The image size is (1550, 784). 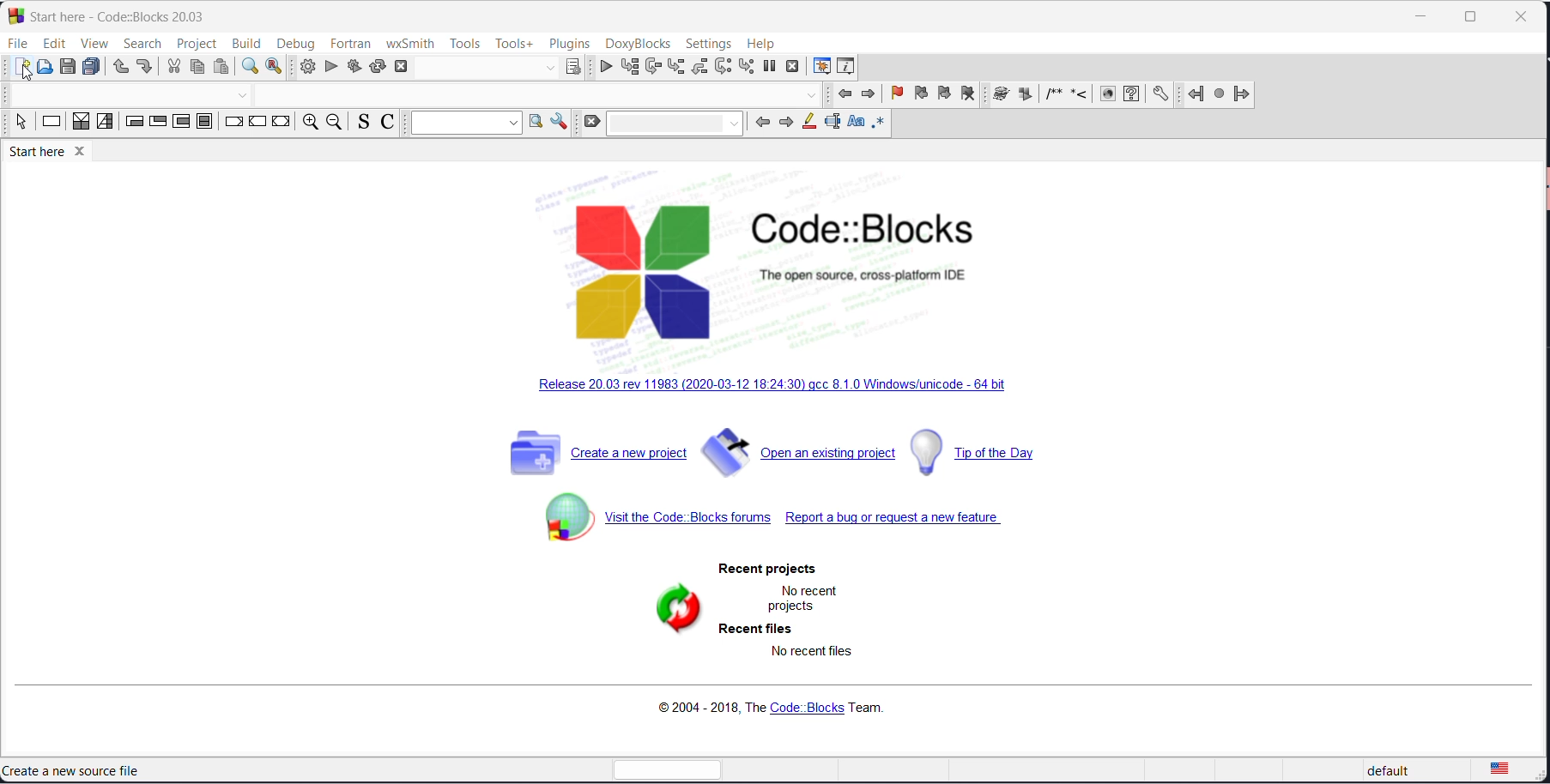 What do you see at coordinates (1193, 96) in the screenshot?
I see `jump back` at bounding box center [1193, 96].